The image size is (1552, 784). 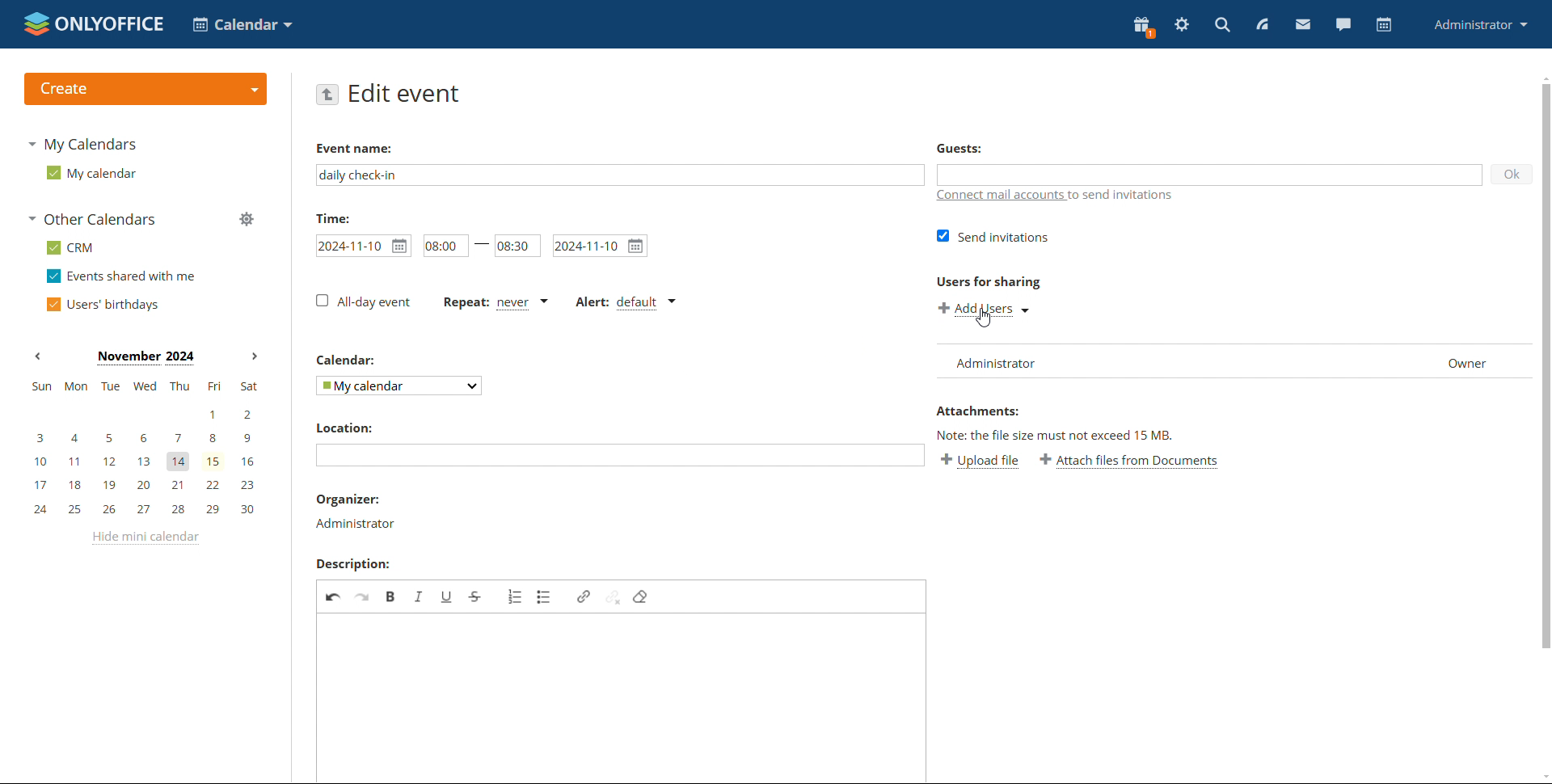 What do you see at coordinates (91, 219) in the screenshot?
I see `other calendars` at bounding box center [91, 219].